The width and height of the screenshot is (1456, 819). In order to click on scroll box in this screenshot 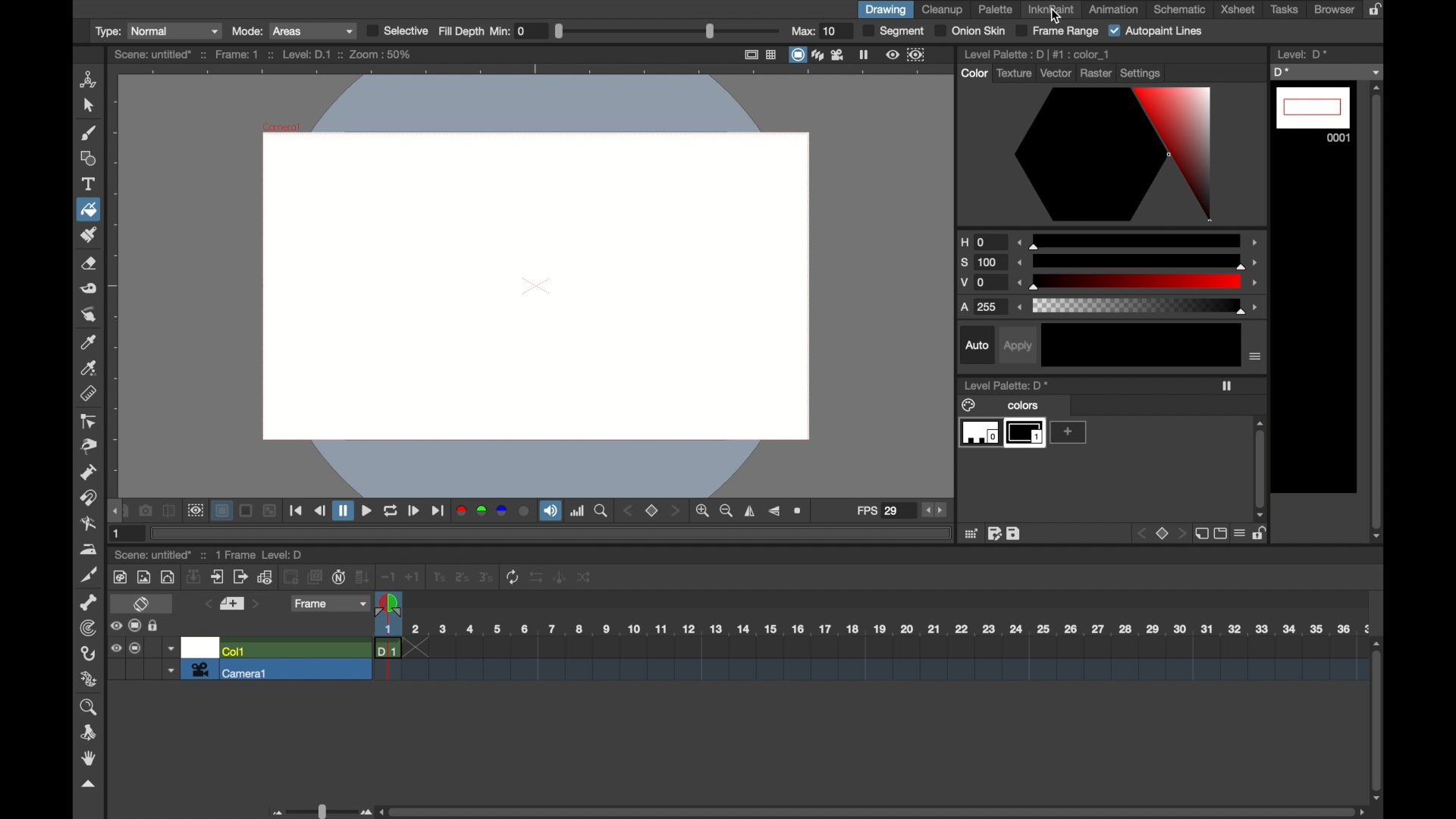, I will do `click(1378, 312)`.